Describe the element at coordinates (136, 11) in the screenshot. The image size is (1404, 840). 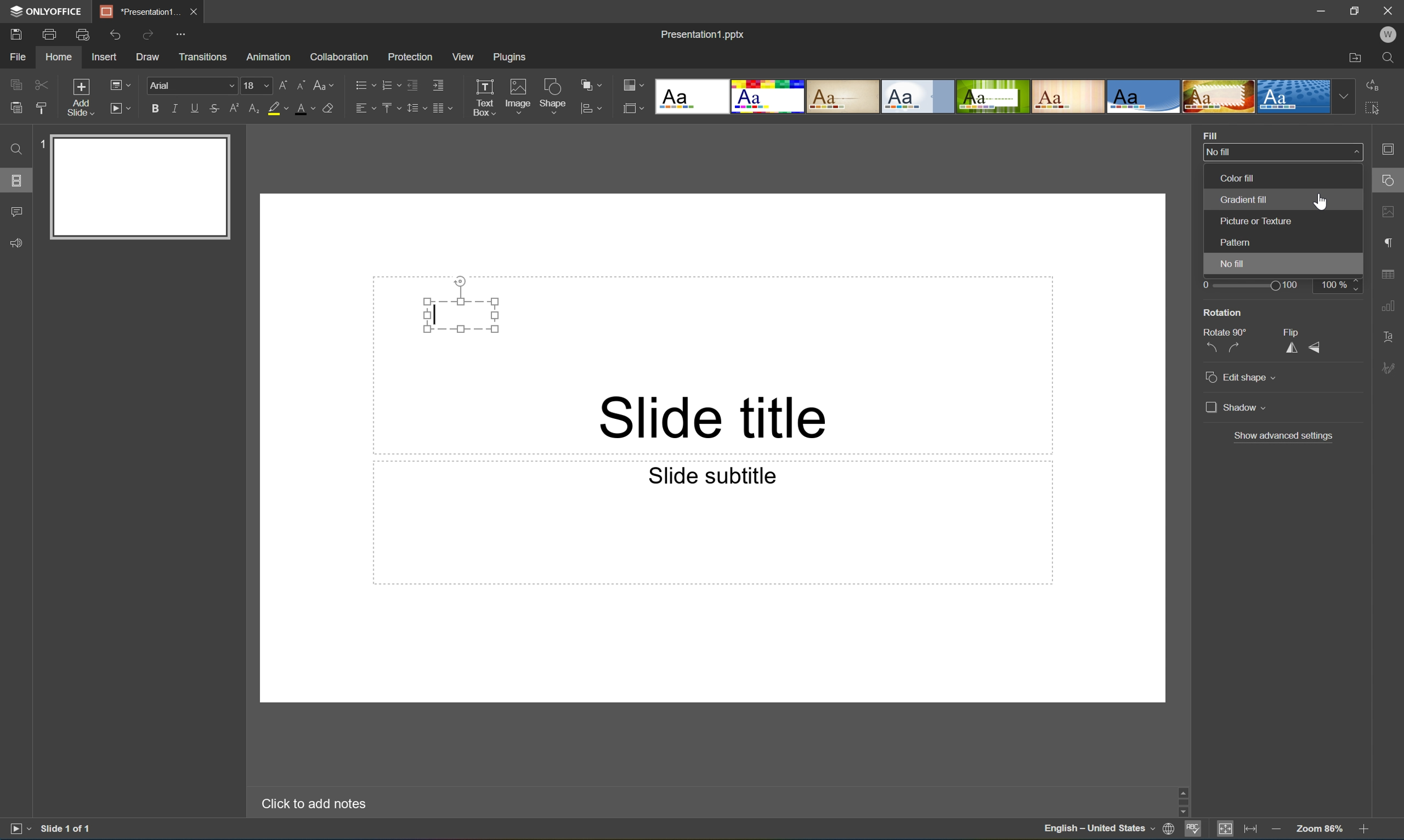
I see `Presentation1...` at that location.